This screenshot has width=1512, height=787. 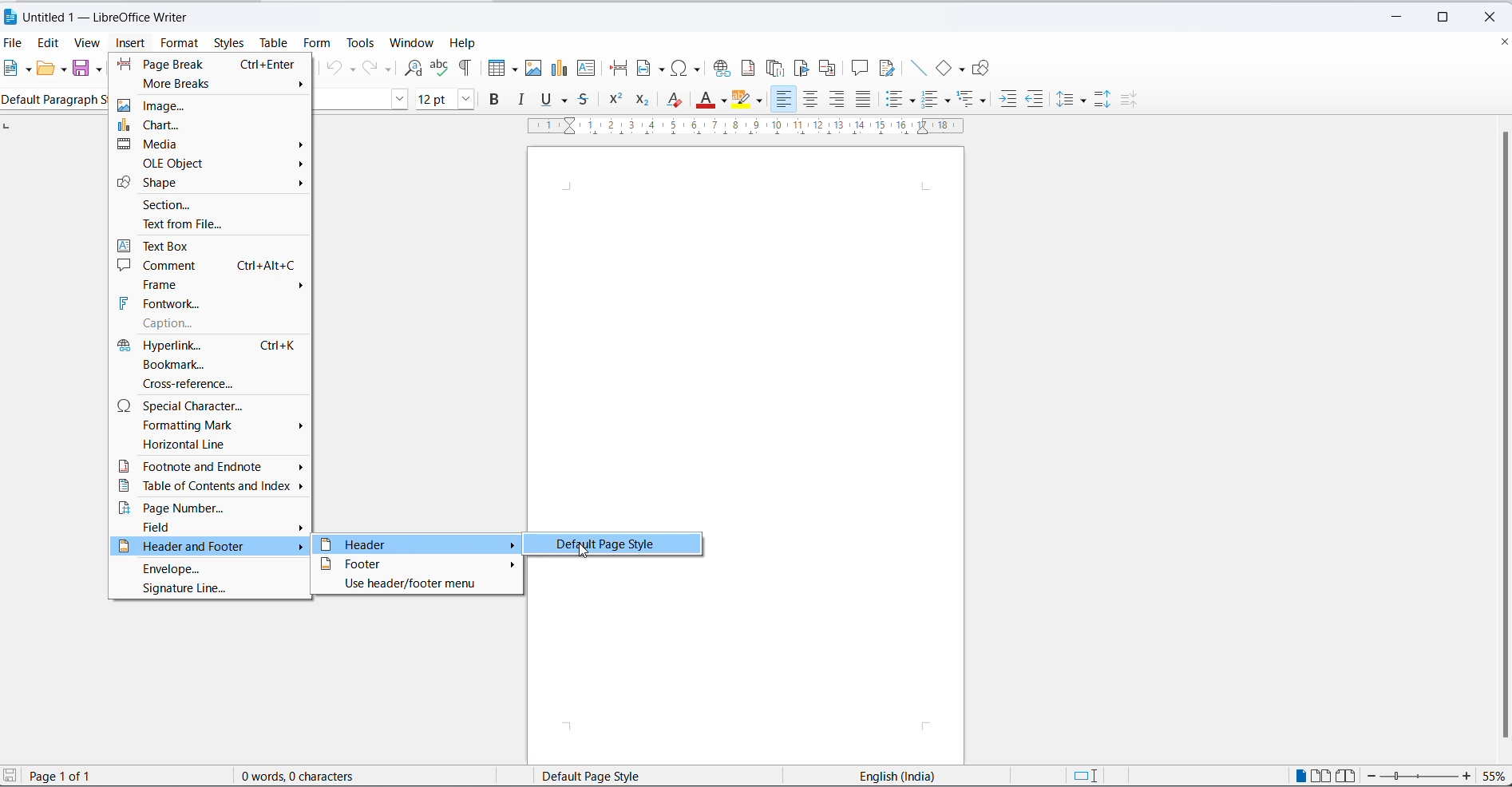 I want to click on caption, so click(x=212, y=326).